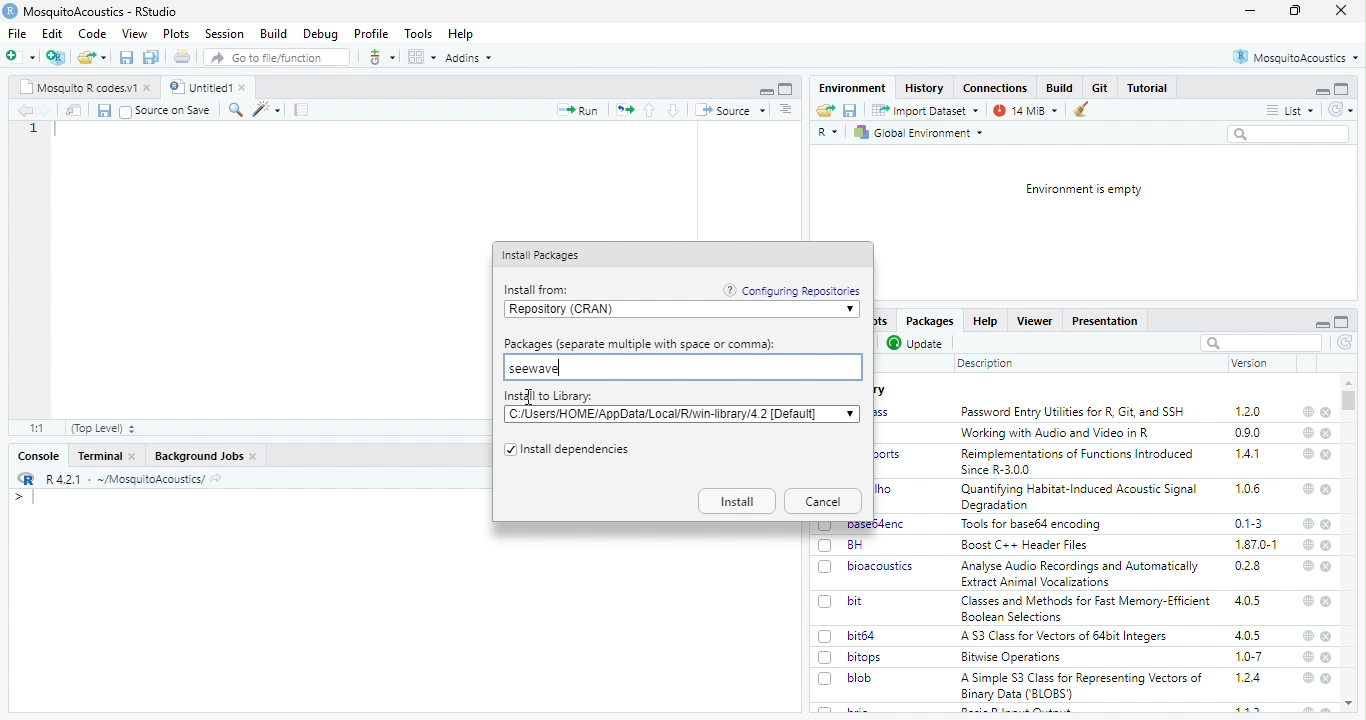 Image resolution: width=1366 pixels, height=720 pixels. I want to click on close, so click(1327, 679).